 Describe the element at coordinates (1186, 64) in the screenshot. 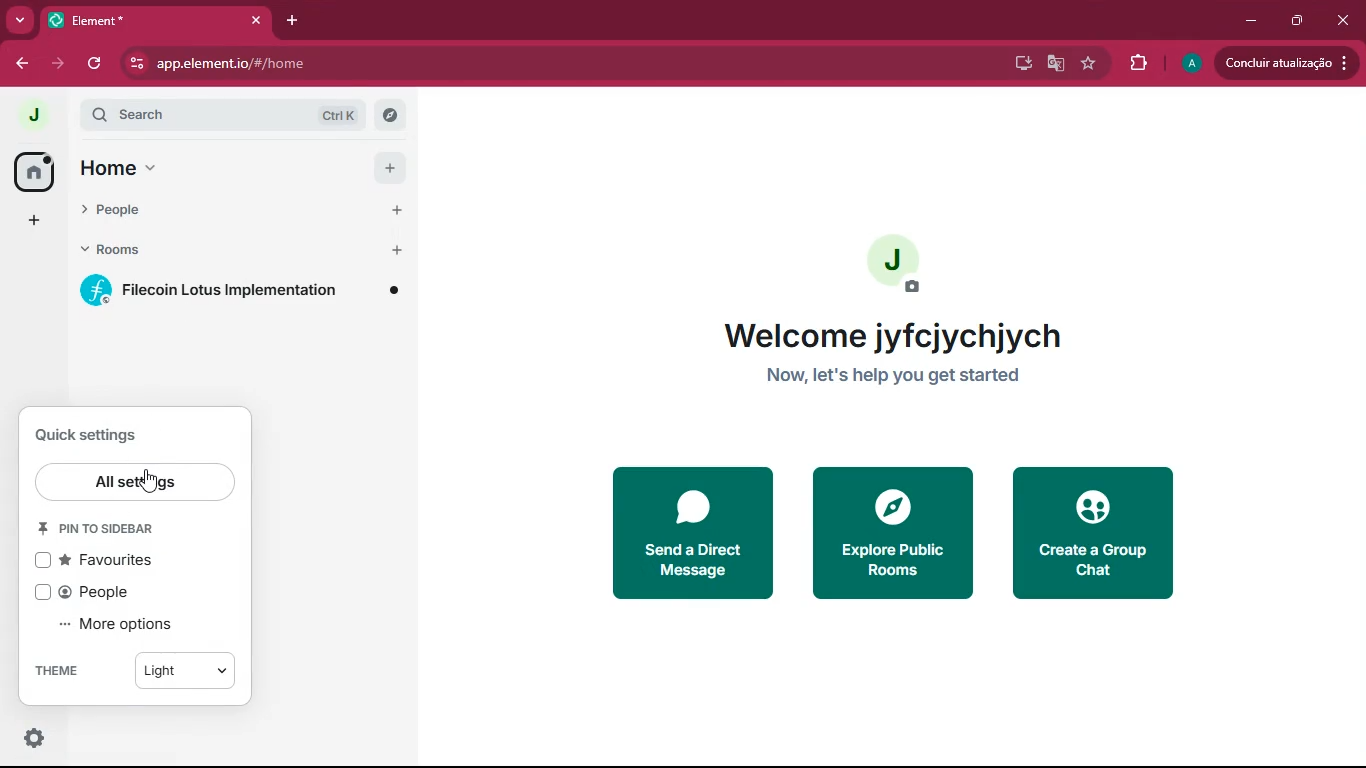

I see `profile ` at that location.